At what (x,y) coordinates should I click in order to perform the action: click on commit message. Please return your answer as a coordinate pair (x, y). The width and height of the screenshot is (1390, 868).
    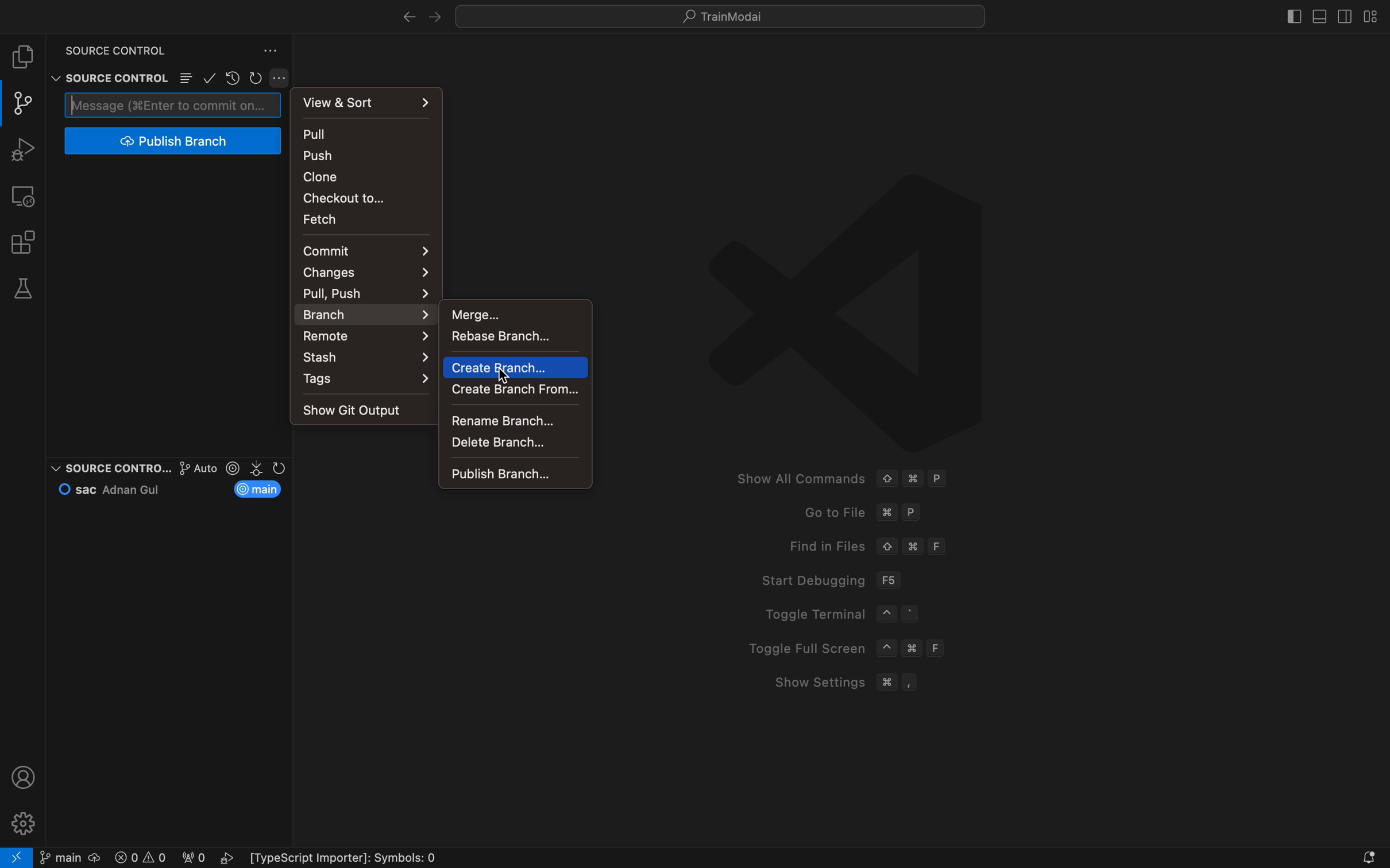
    Looking at the image, I should click on (173, 104).